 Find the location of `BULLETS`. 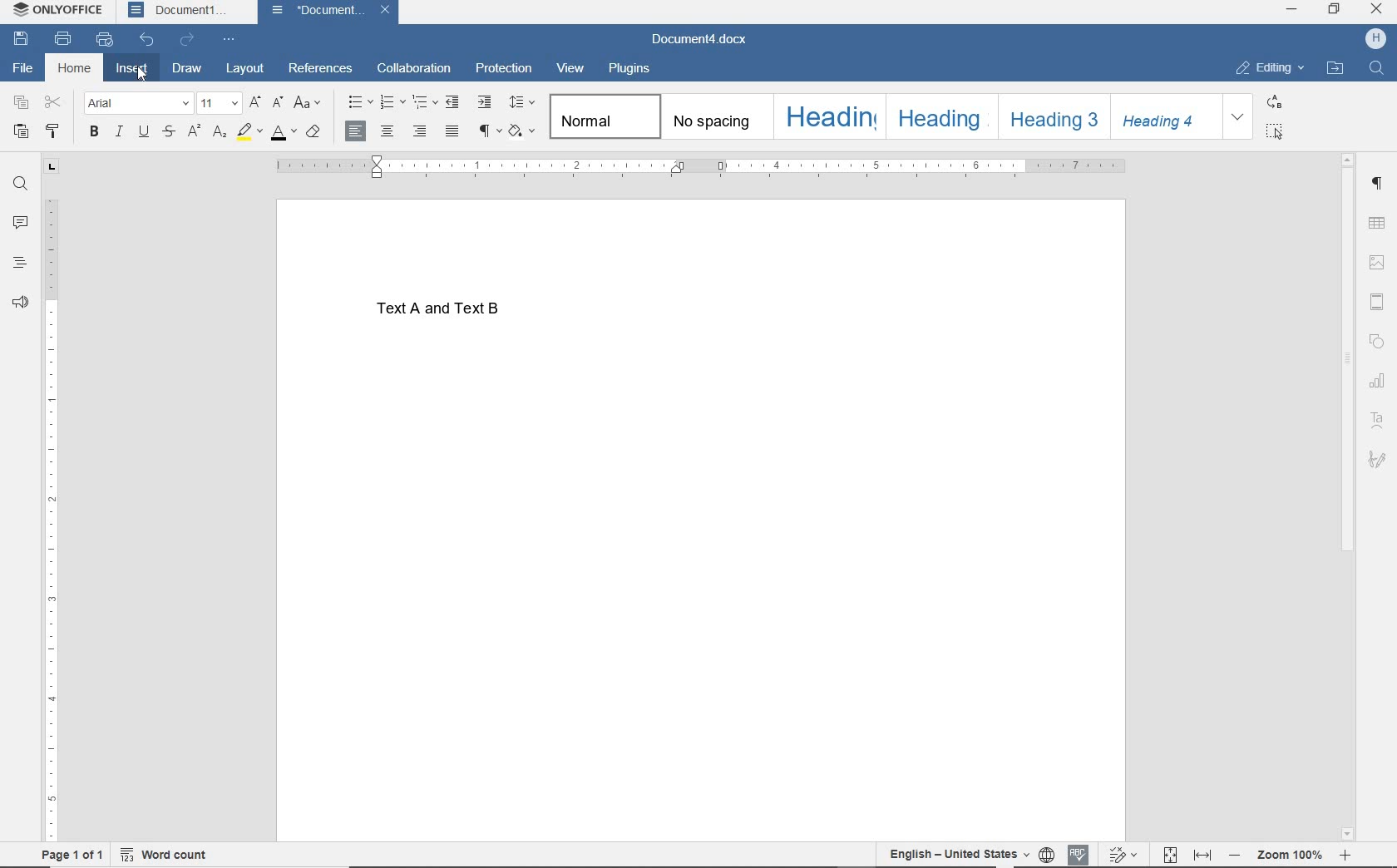

BULLETS is located at coordinates (358, 101).